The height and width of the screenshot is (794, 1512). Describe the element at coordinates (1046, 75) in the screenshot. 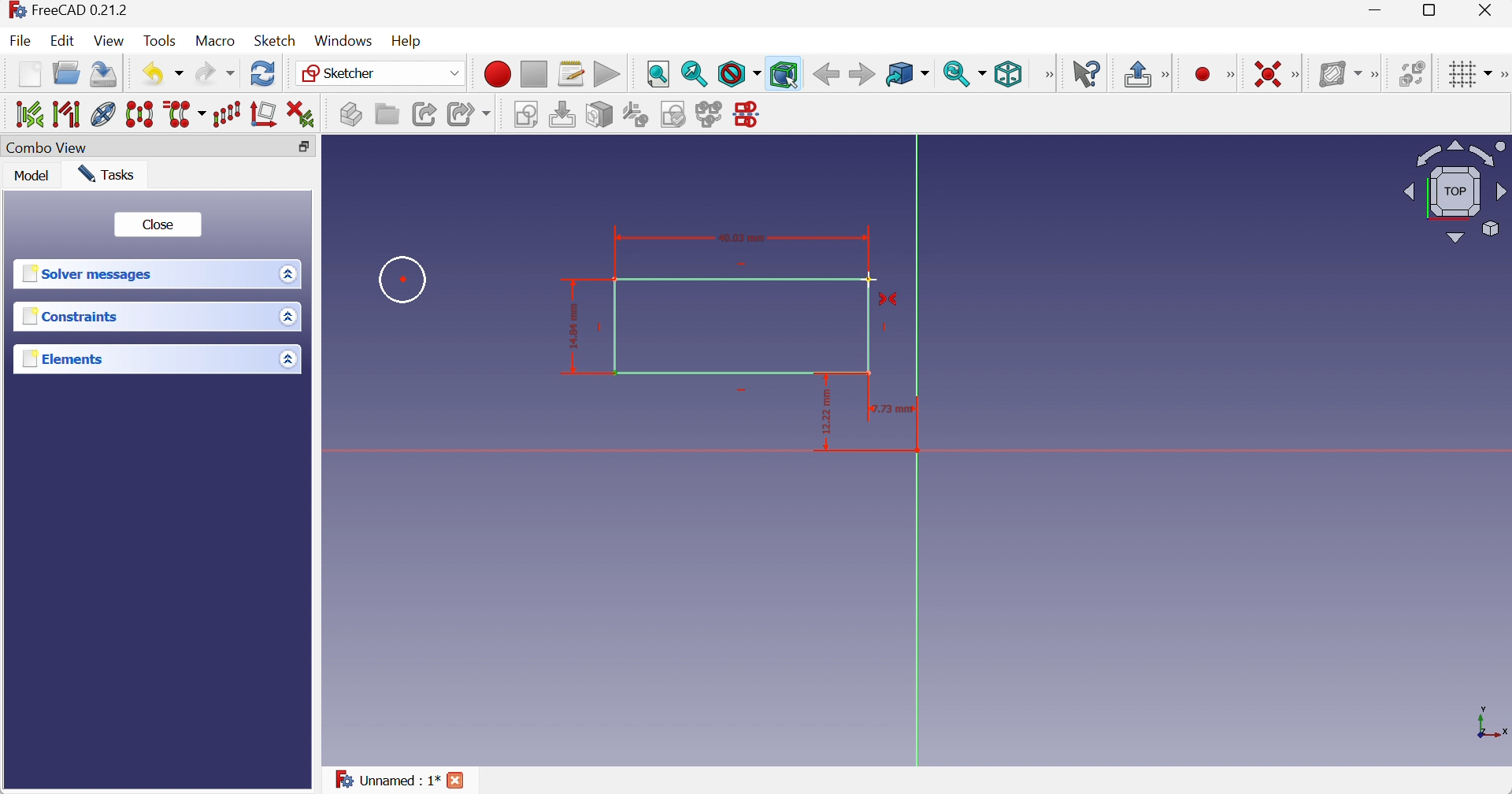

I see `[View]` at that location.